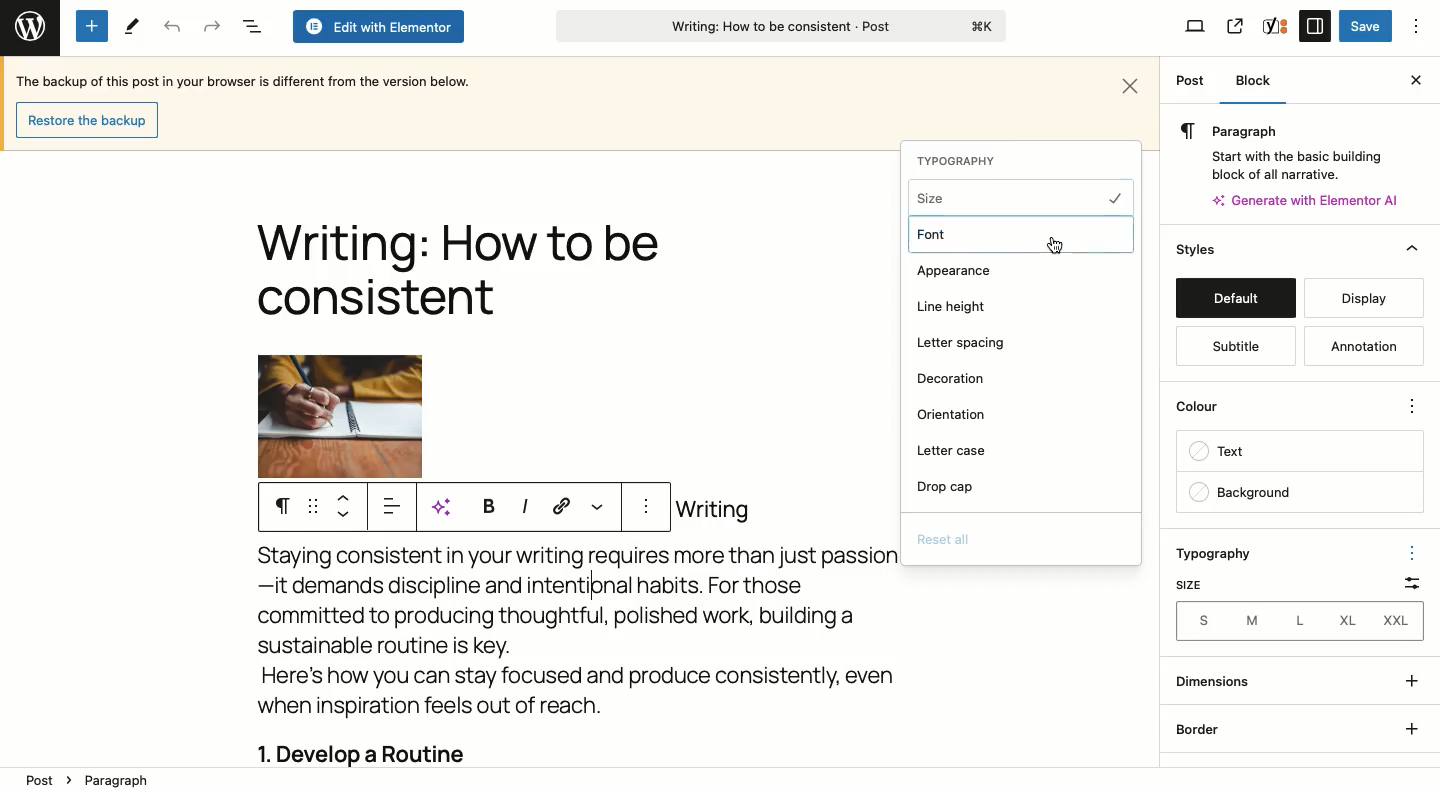  I want to click on Block, so click(1261, 81).